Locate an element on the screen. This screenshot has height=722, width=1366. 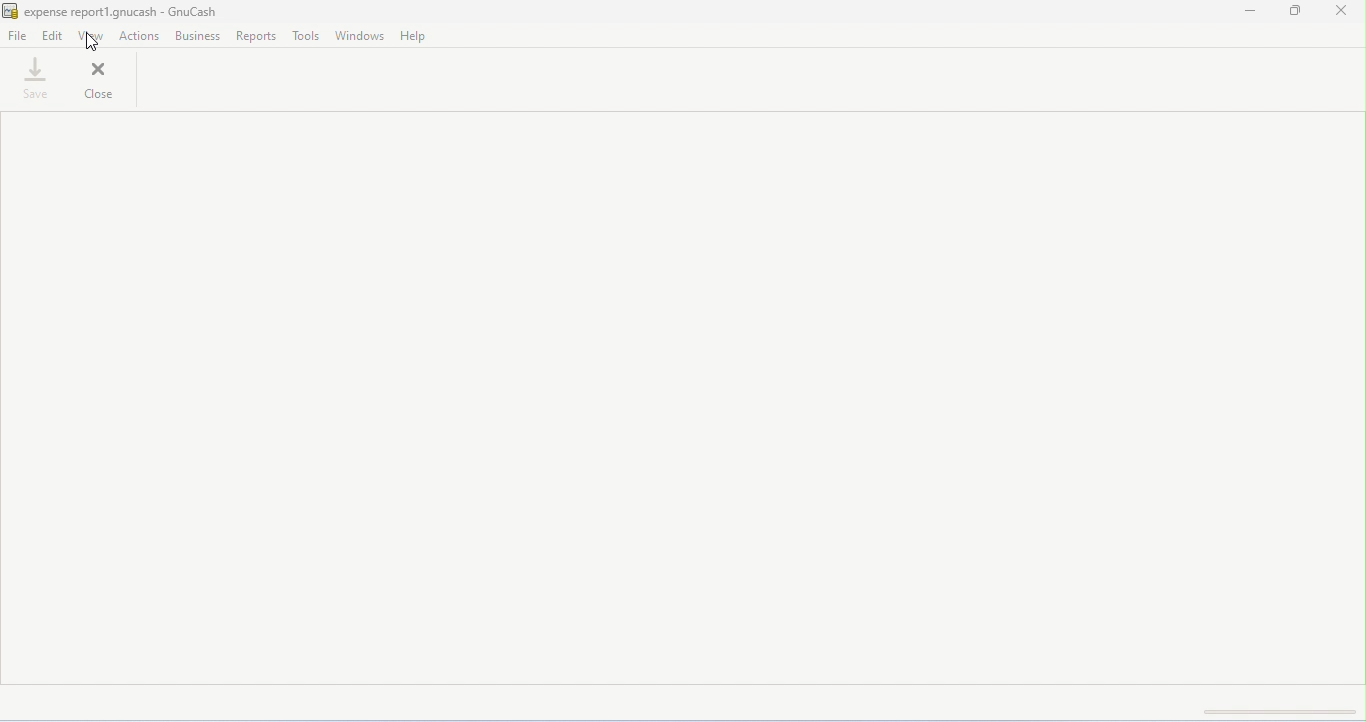
close is located at coordinates (102, 78).